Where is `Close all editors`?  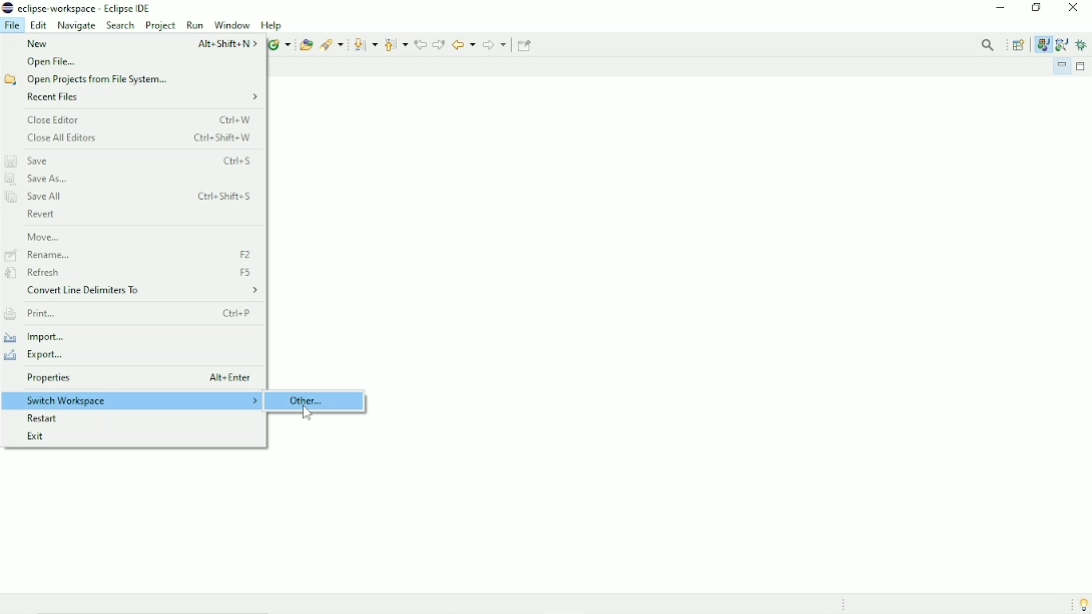
Close all editors is located at coordinates (141, 139).